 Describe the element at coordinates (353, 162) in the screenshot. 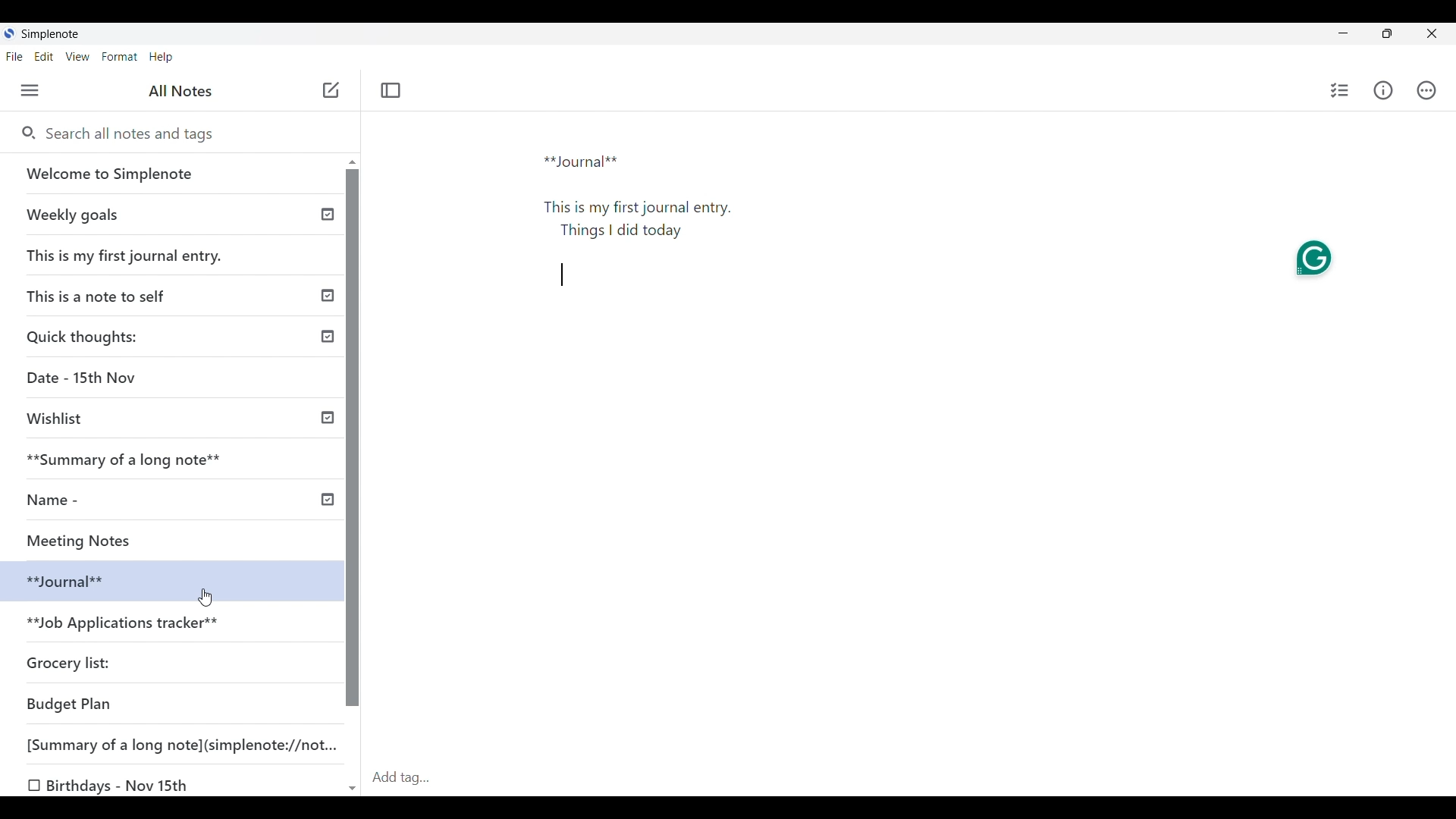

I see `Quick slide to top` at that location.